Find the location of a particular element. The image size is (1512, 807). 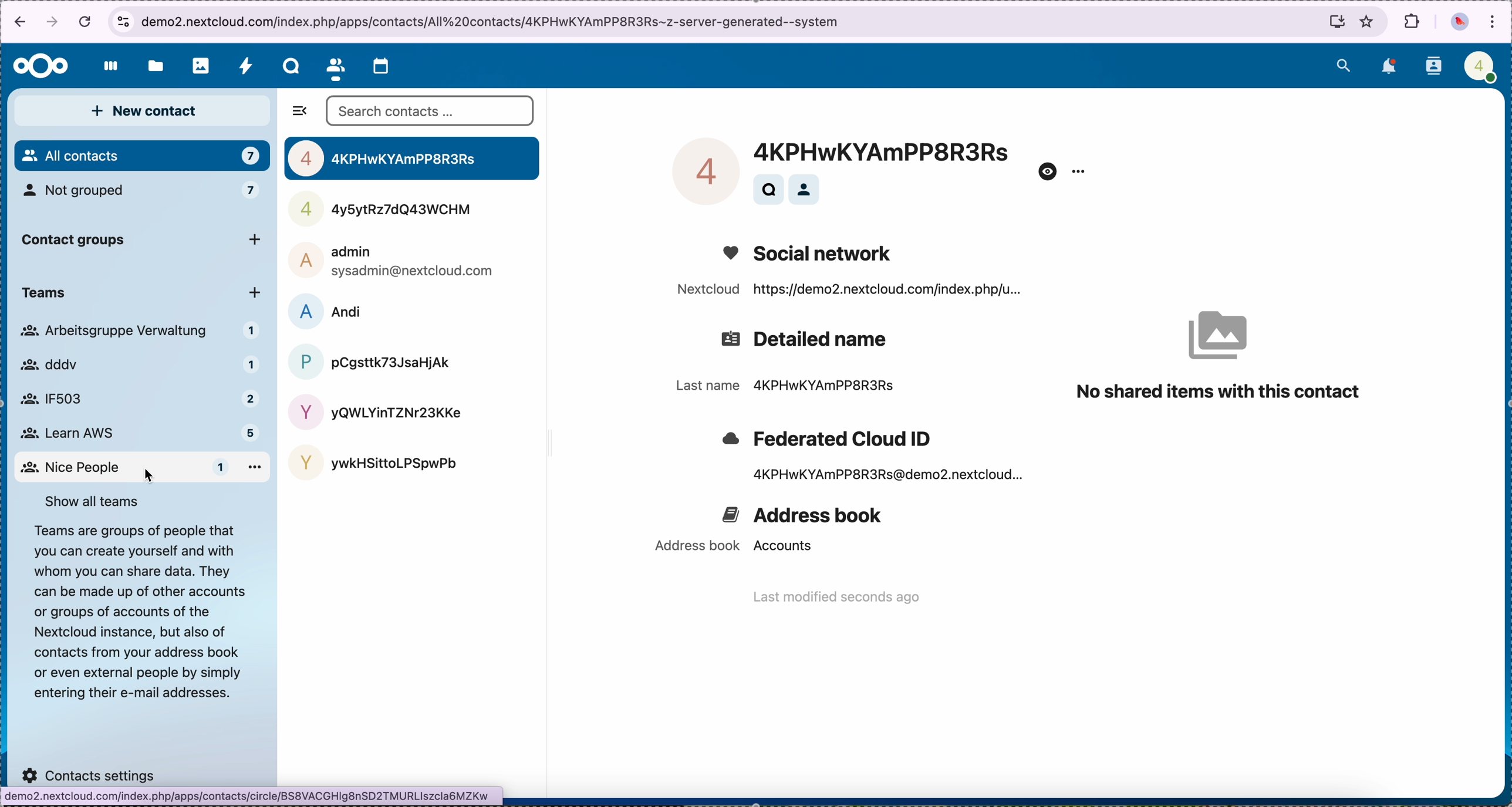

URL is located at coordinates (252, 797).